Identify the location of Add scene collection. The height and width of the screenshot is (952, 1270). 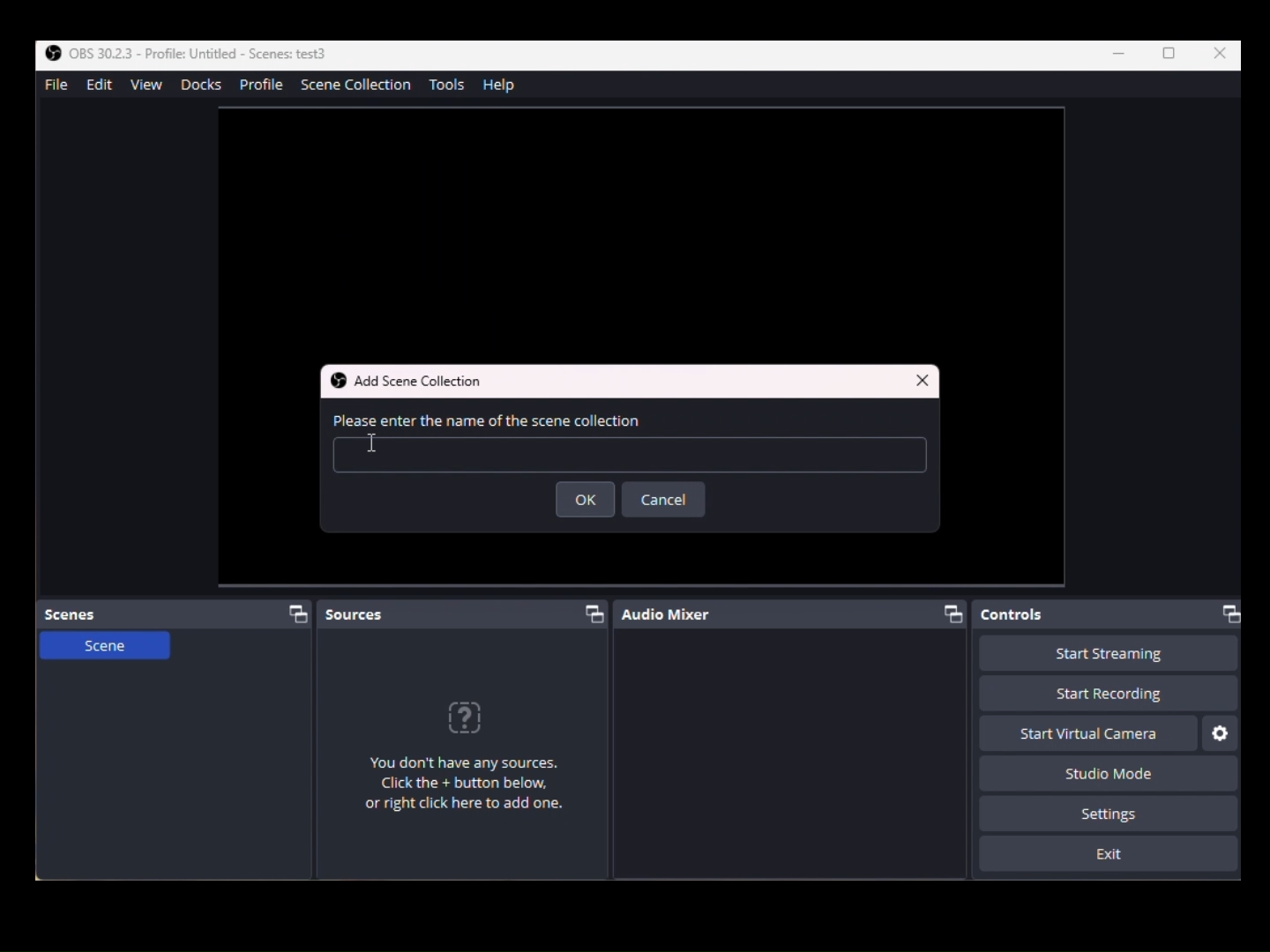
(419, 381).